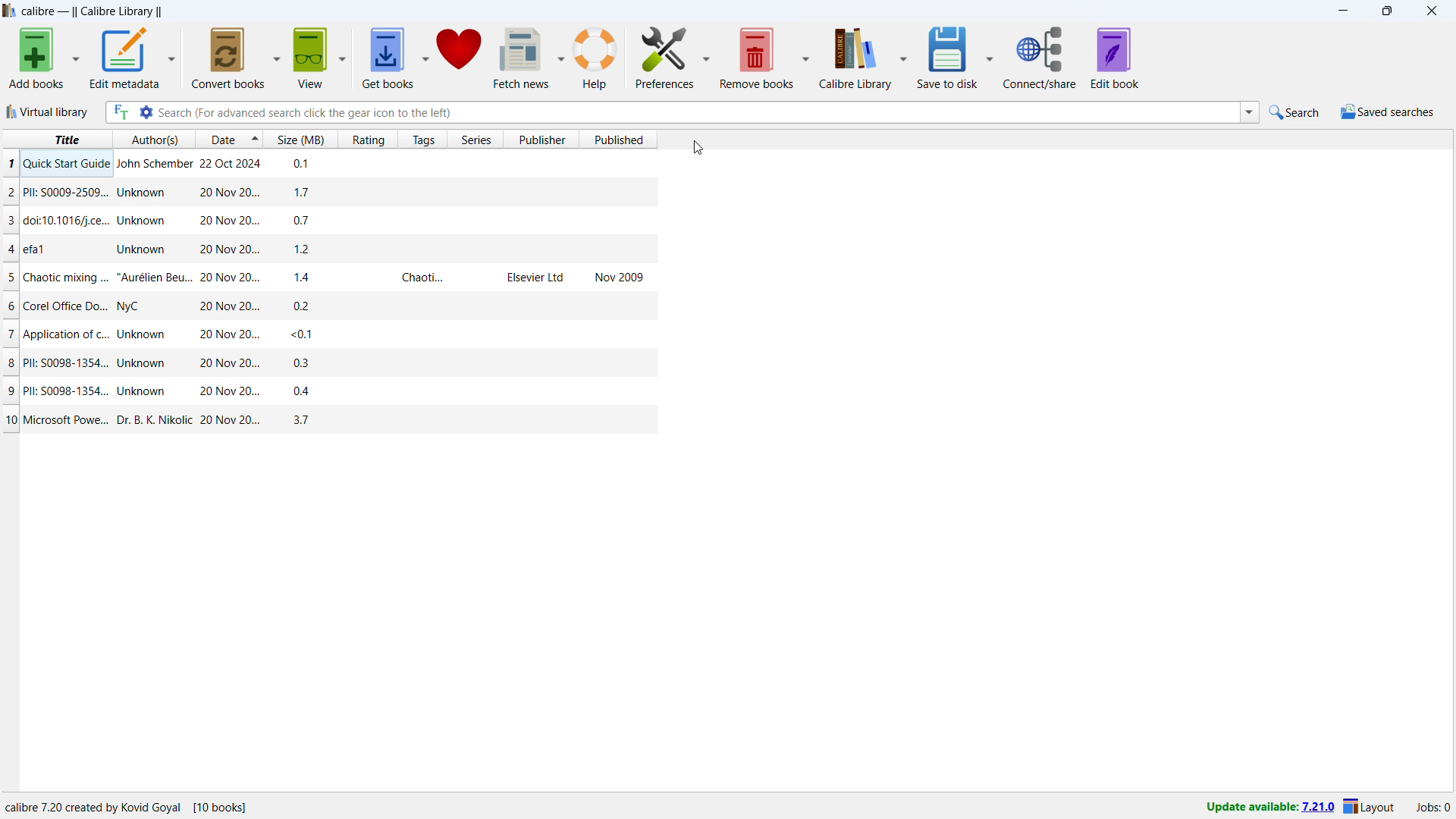  Describe the element at coordinates (596, 57) in the screenshot. I see `help` at that location.